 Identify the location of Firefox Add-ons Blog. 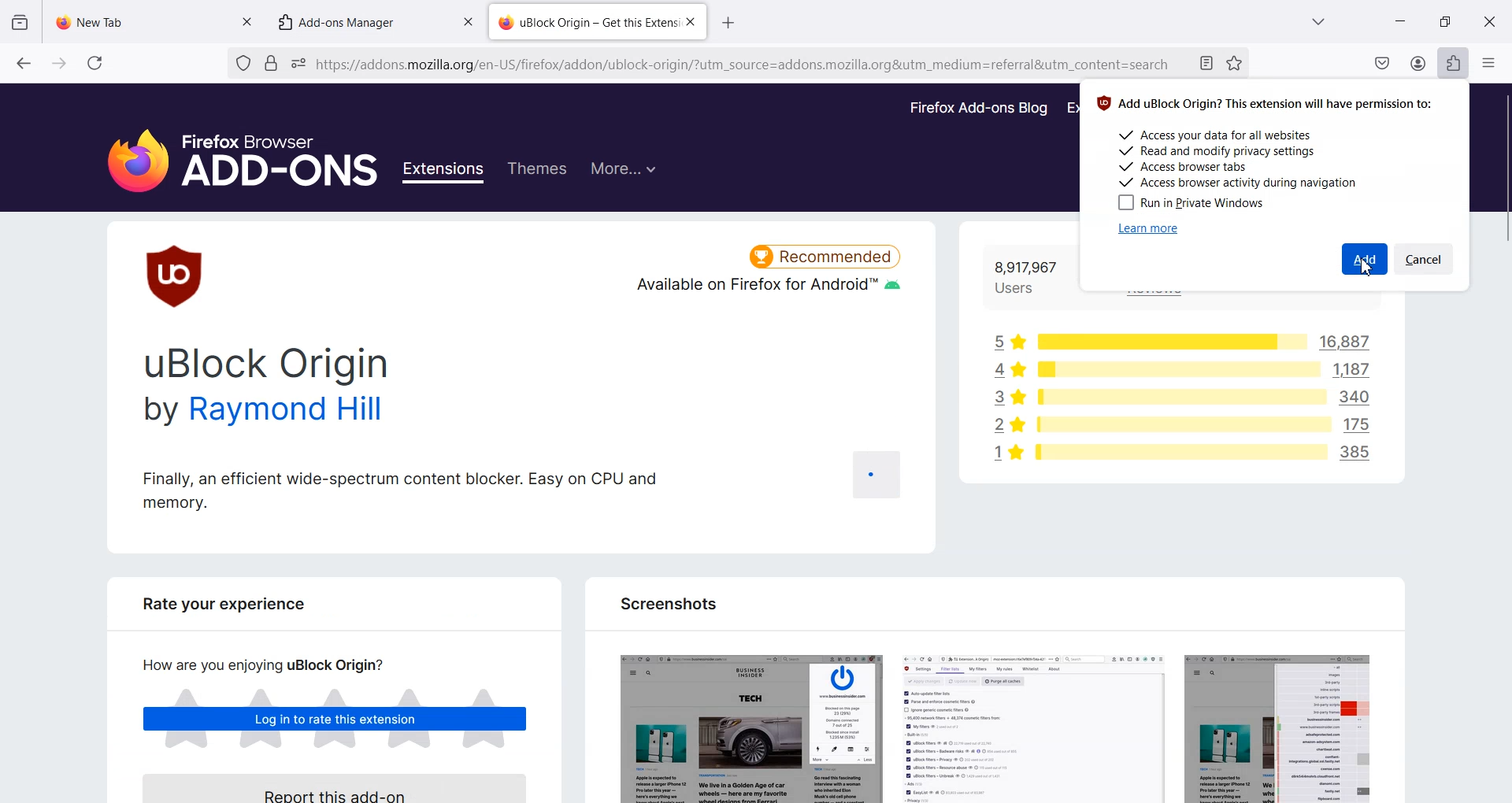
(979, 109).